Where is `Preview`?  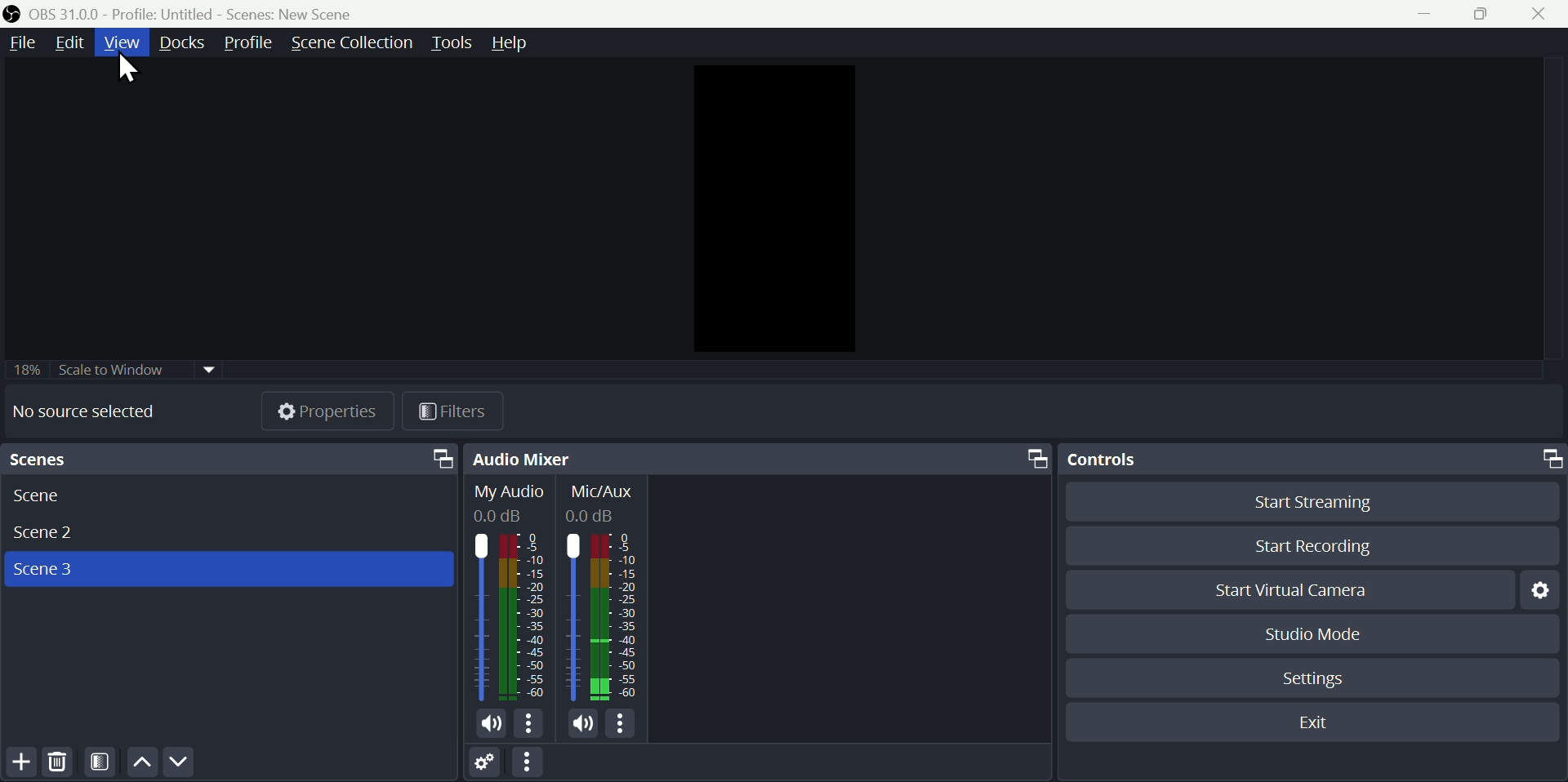
Preview is located at coordinates (772, 210).